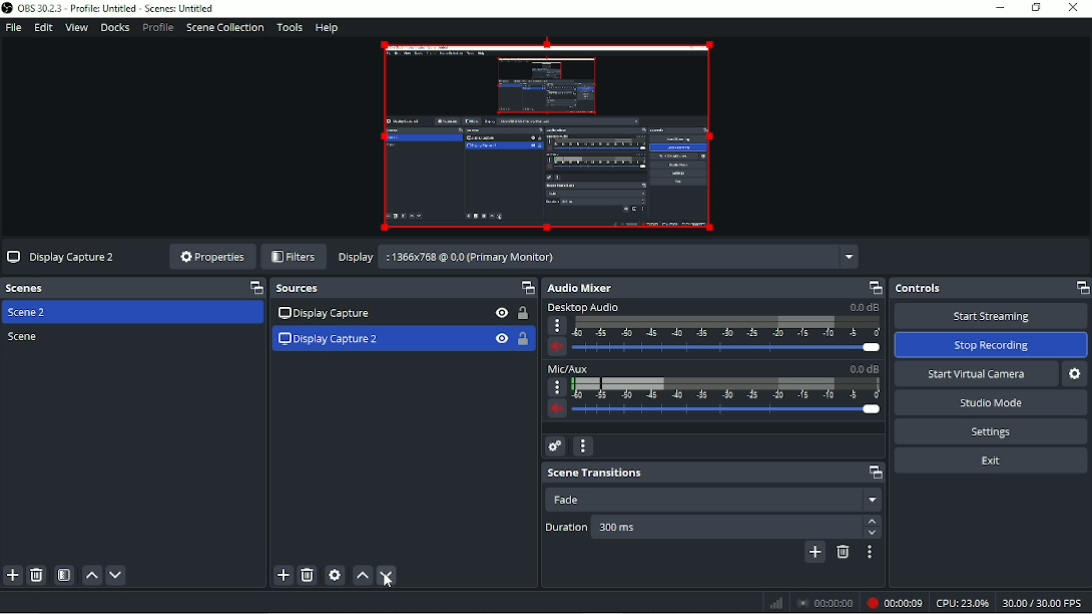  Describe the element at coordinates (1076, 374) in the screenshot. I see `Configure virtual camera` at that location.